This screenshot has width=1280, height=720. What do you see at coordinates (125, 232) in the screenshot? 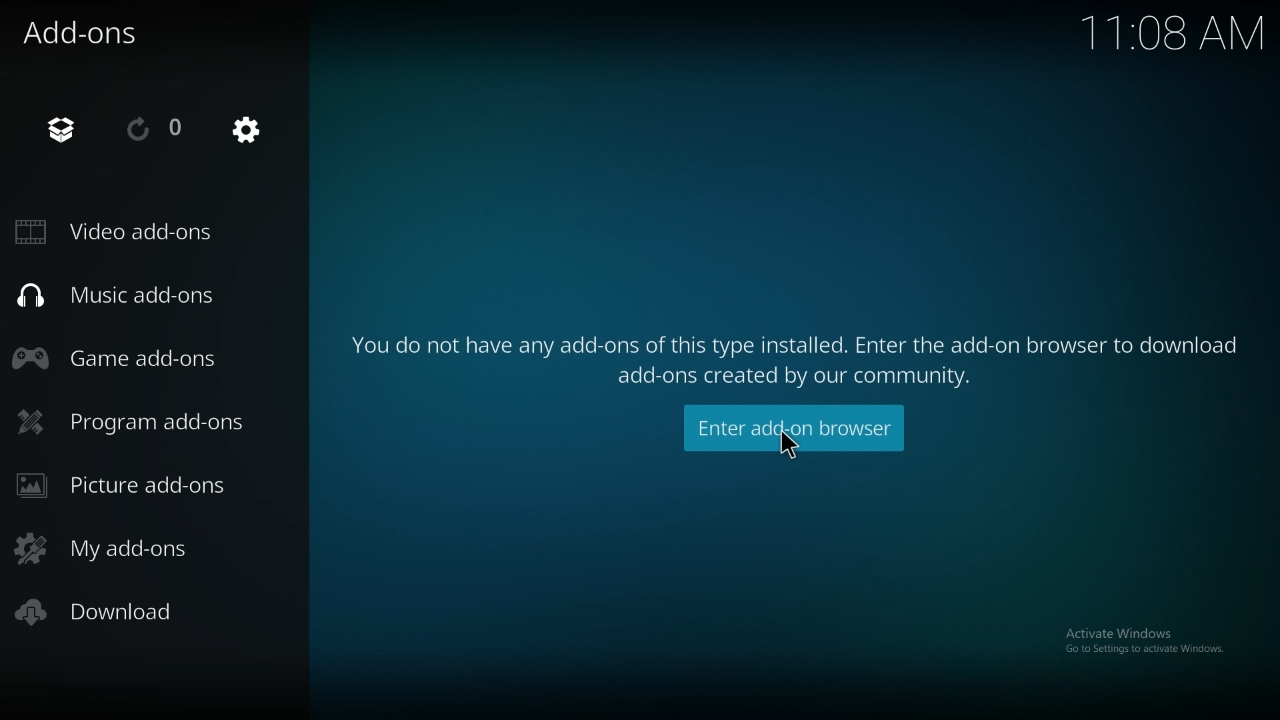
I see `video add ons` at bounding box center [125, 232].